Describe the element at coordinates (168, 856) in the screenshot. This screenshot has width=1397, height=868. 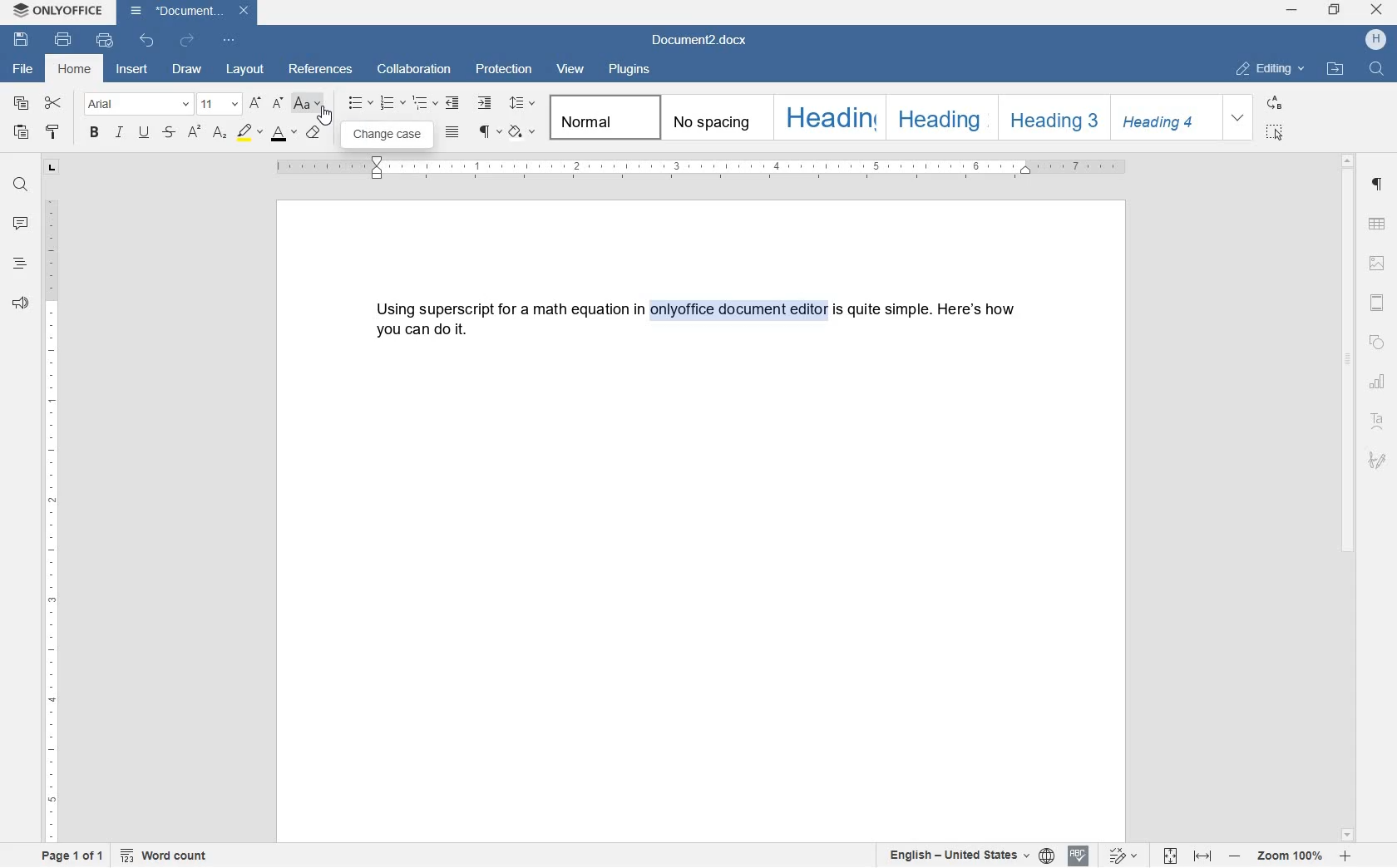
I see `word count` at that location.